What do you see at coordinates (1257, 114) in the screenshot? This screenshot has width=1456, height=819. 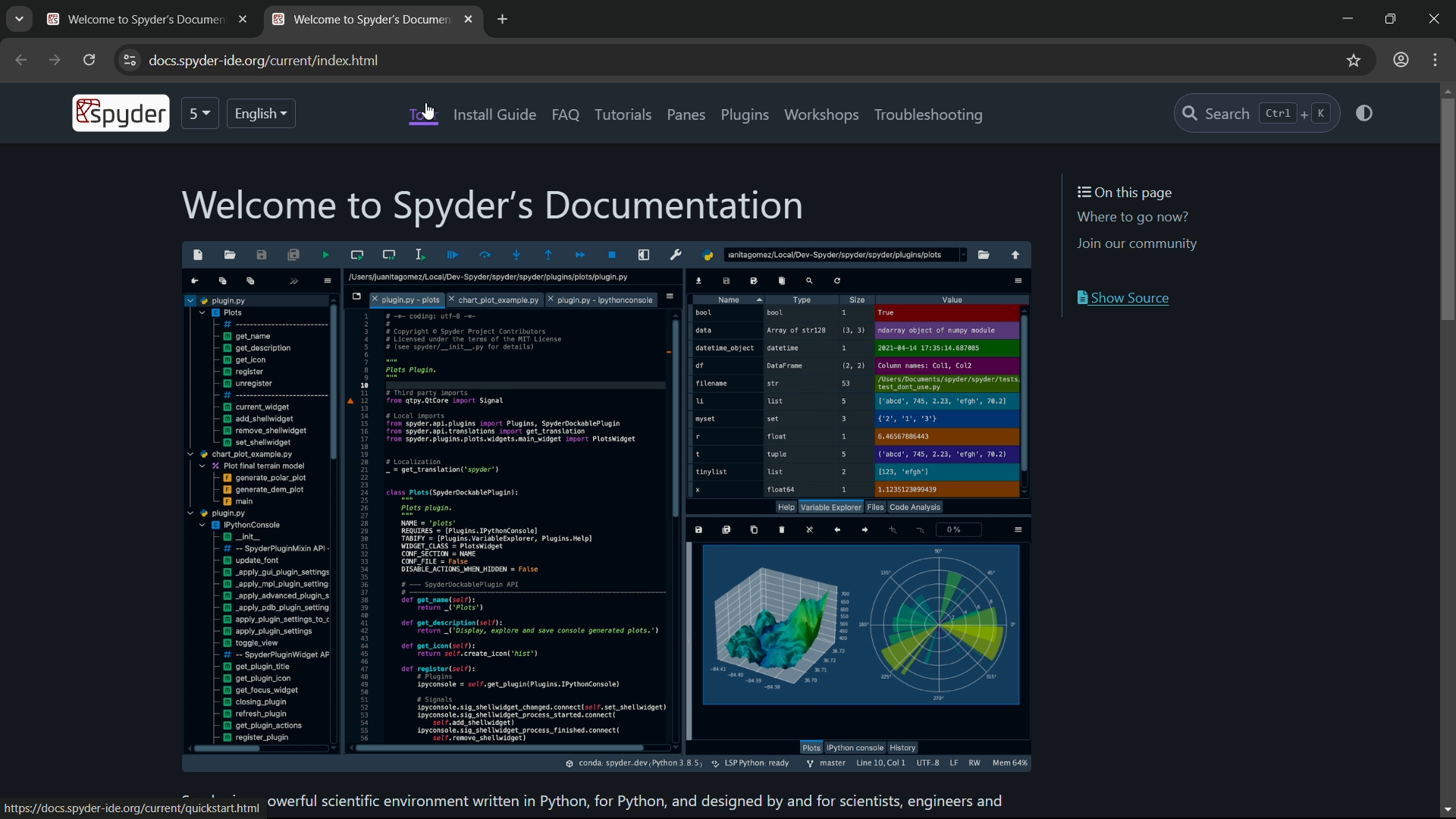 I see `search Ctrl + K` at bounding box center [1257, 114].